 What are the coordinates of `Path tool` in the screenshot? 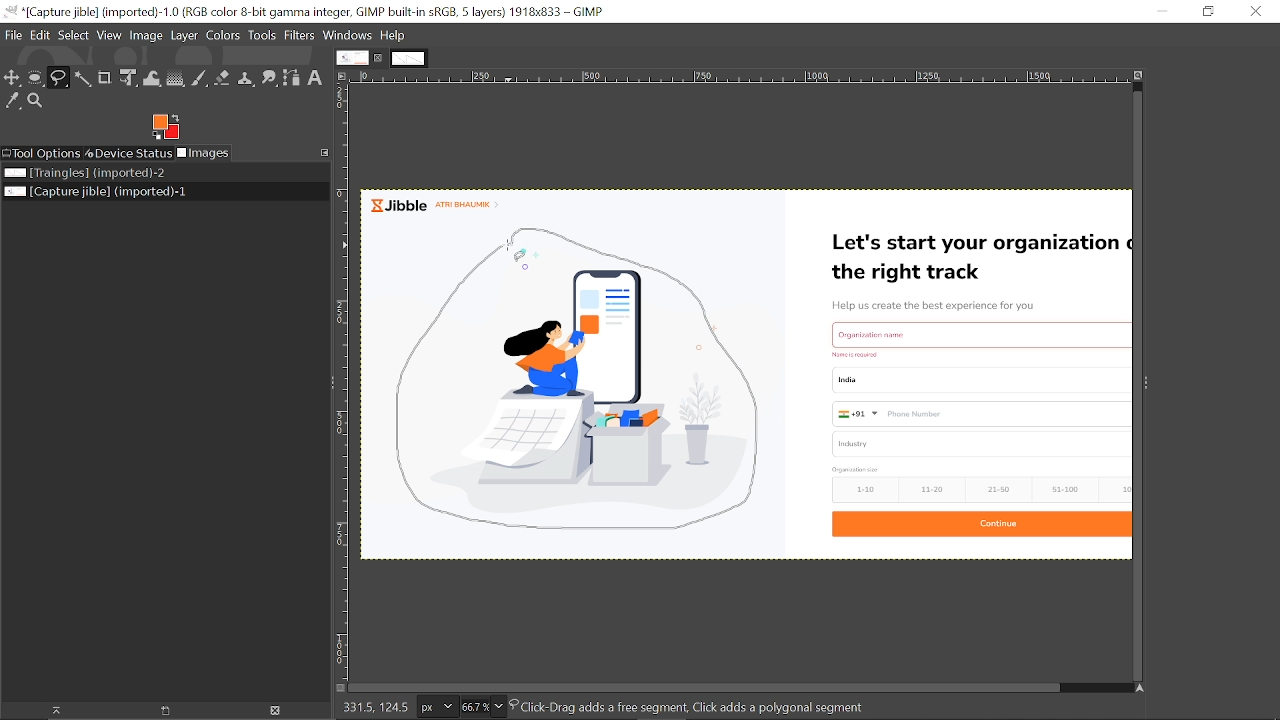 It's located at (293, 78).